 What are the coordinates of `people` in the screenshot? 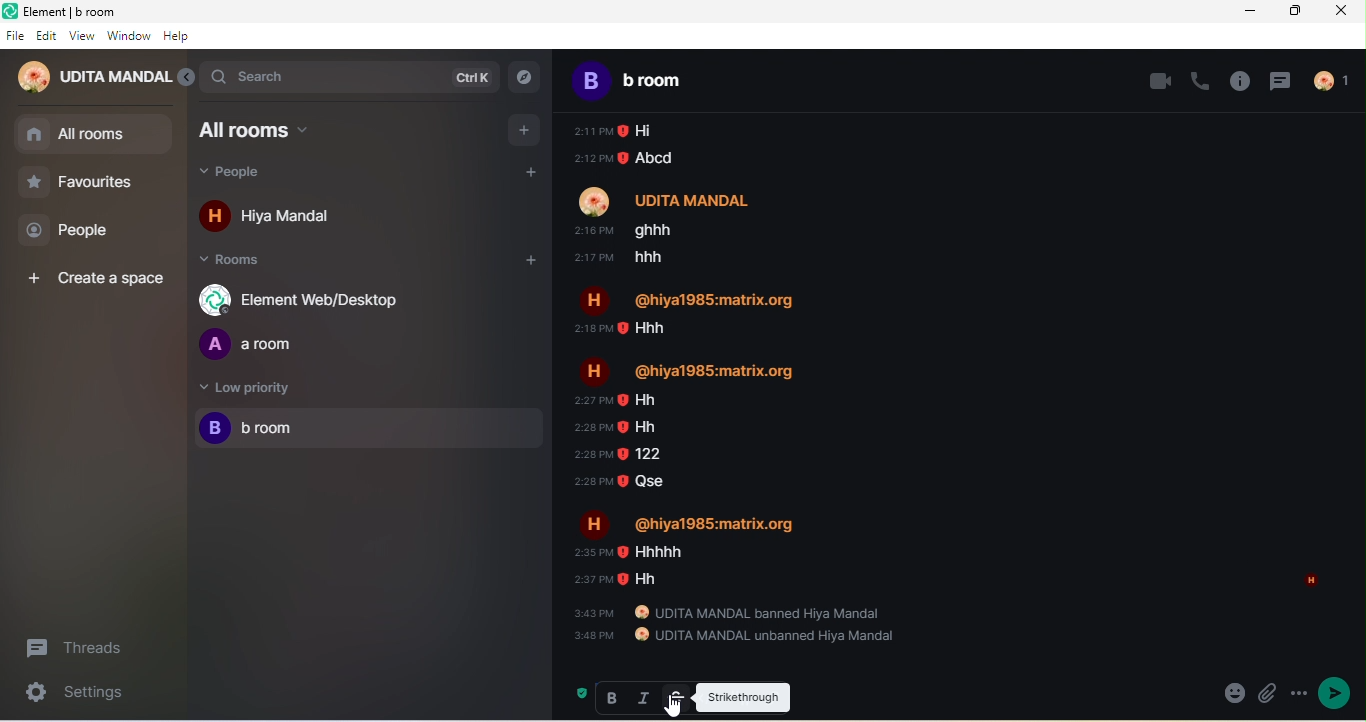 It's located at (254, 175).